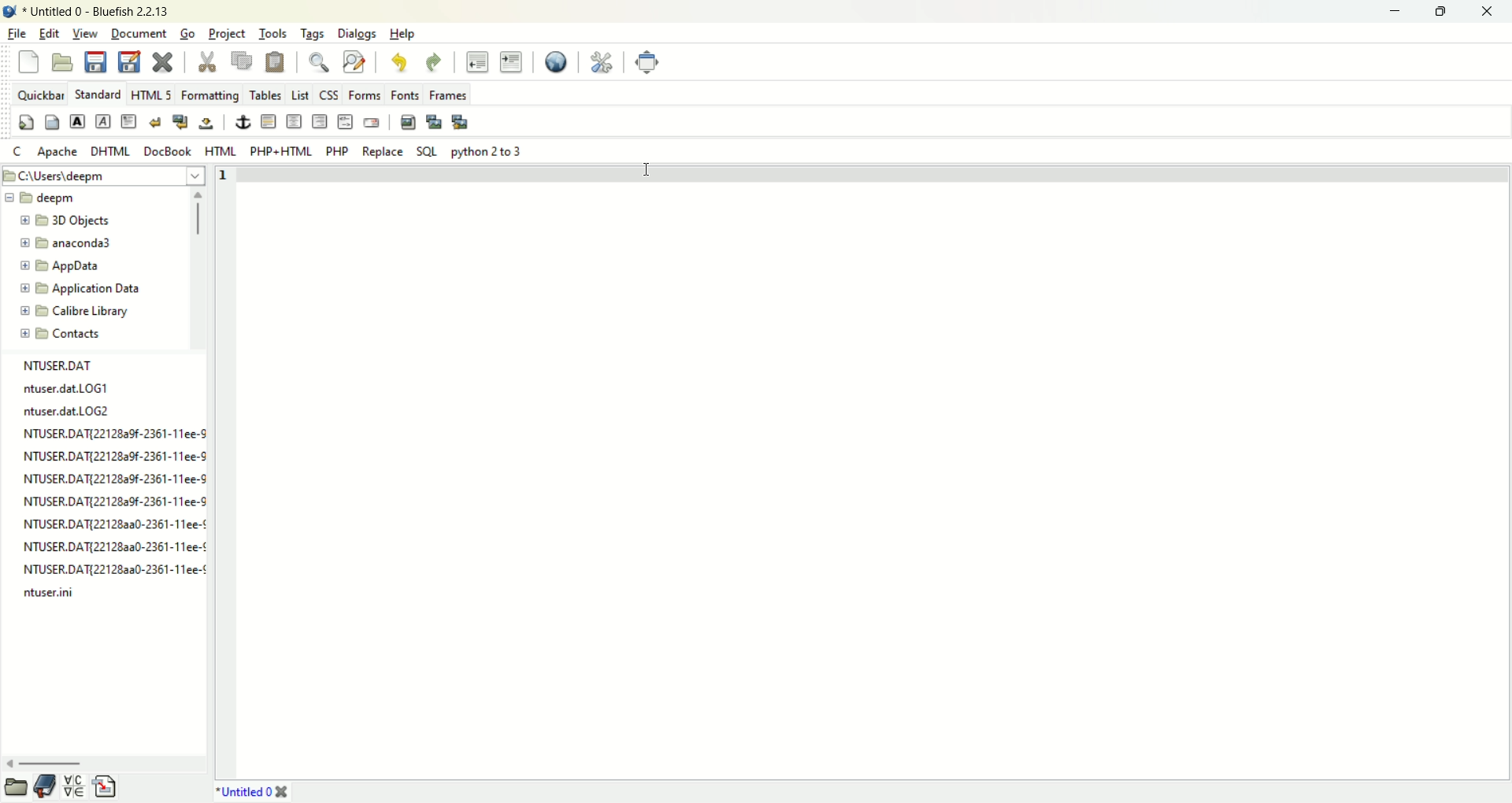  Describe the element at coordinates (17, 788) in the screenshot. I see `scroll bar` at that location.